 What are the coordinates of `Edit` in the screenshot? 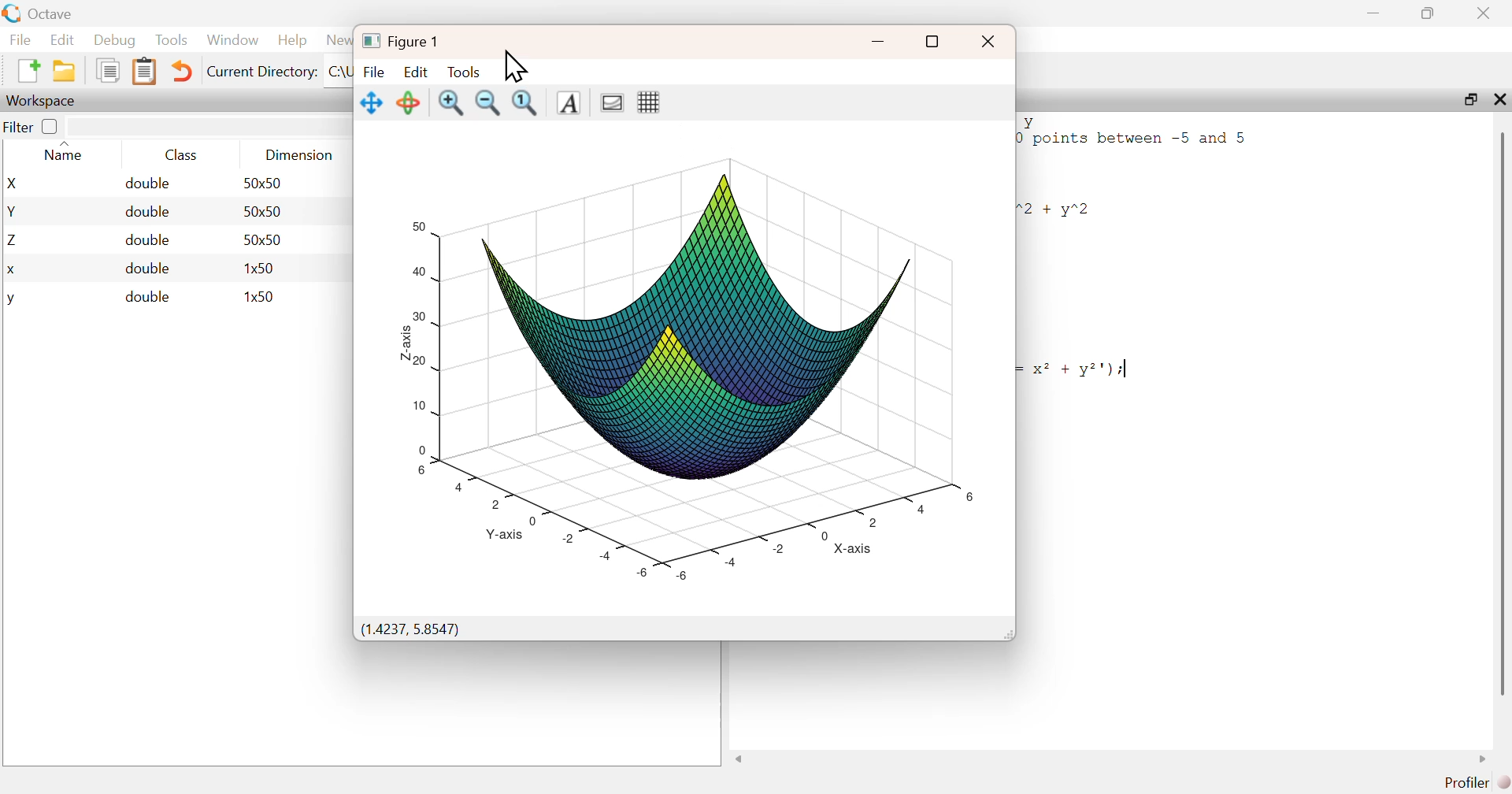 It's located at (61, 39).